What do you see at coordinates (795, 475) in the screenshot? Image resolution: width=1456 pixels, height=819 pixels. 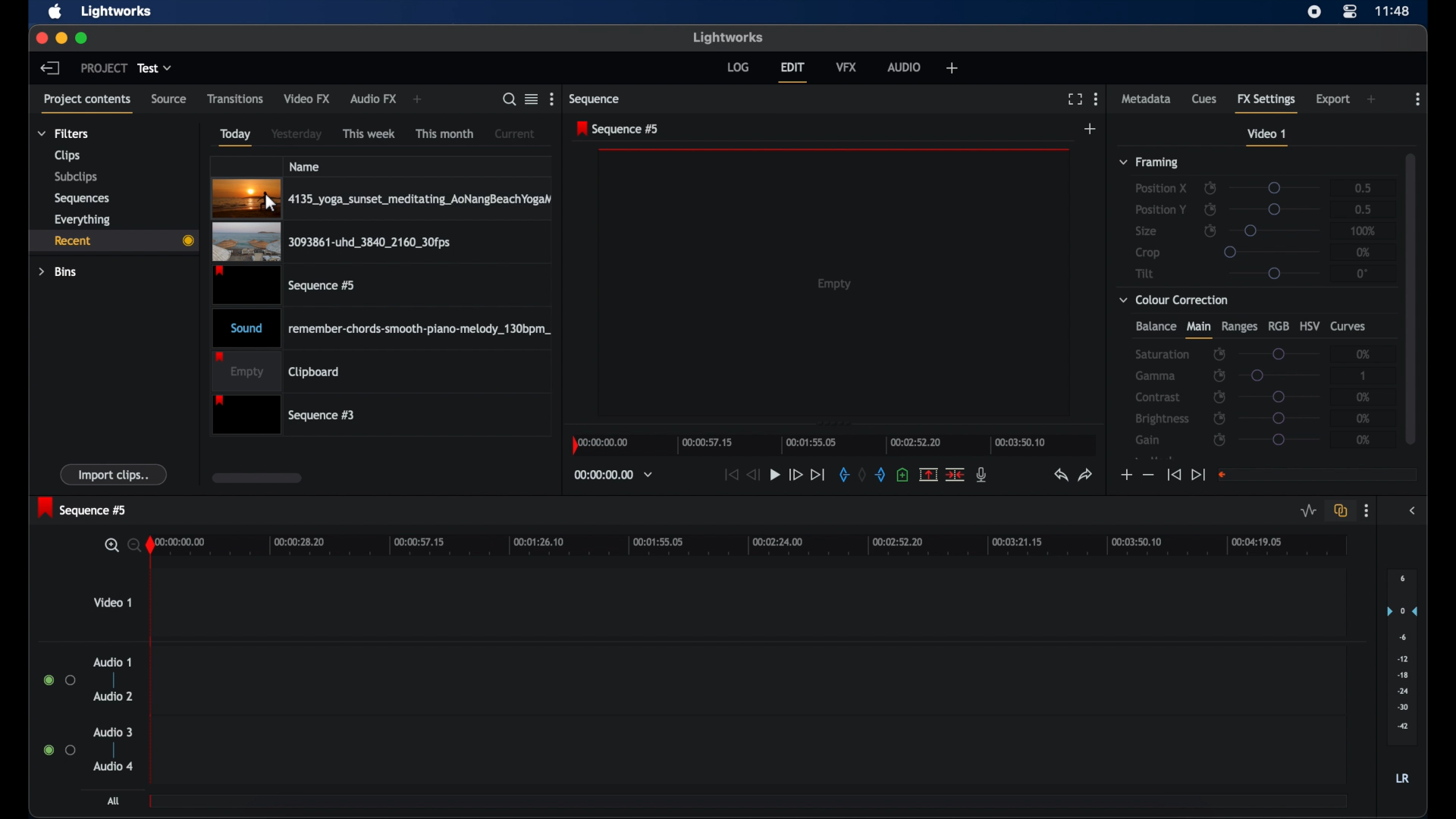 I see `fast forward` at bounding box center [795, 475].